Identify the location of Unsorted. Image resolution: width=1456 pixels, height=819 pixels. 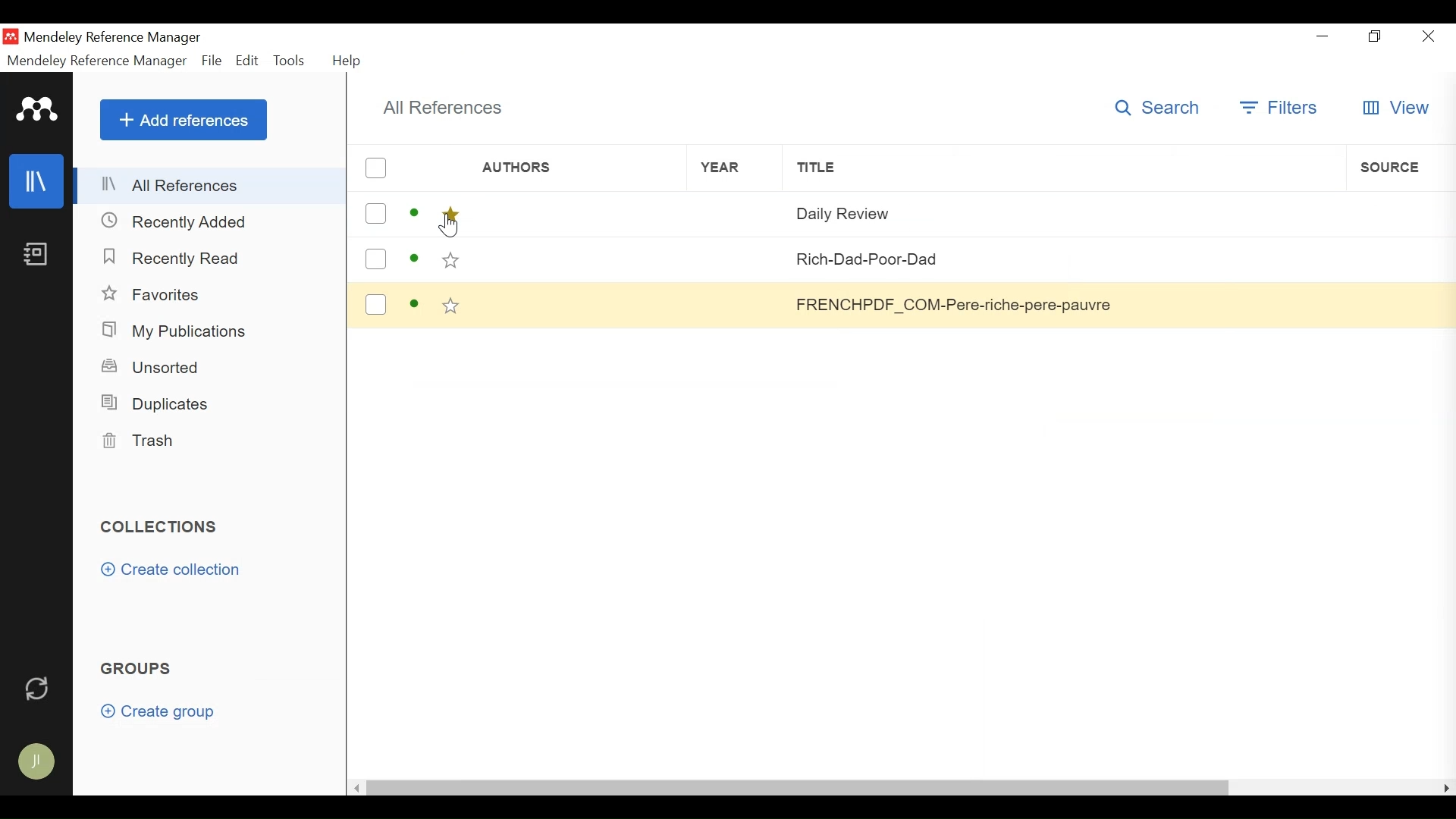
(155, 367).